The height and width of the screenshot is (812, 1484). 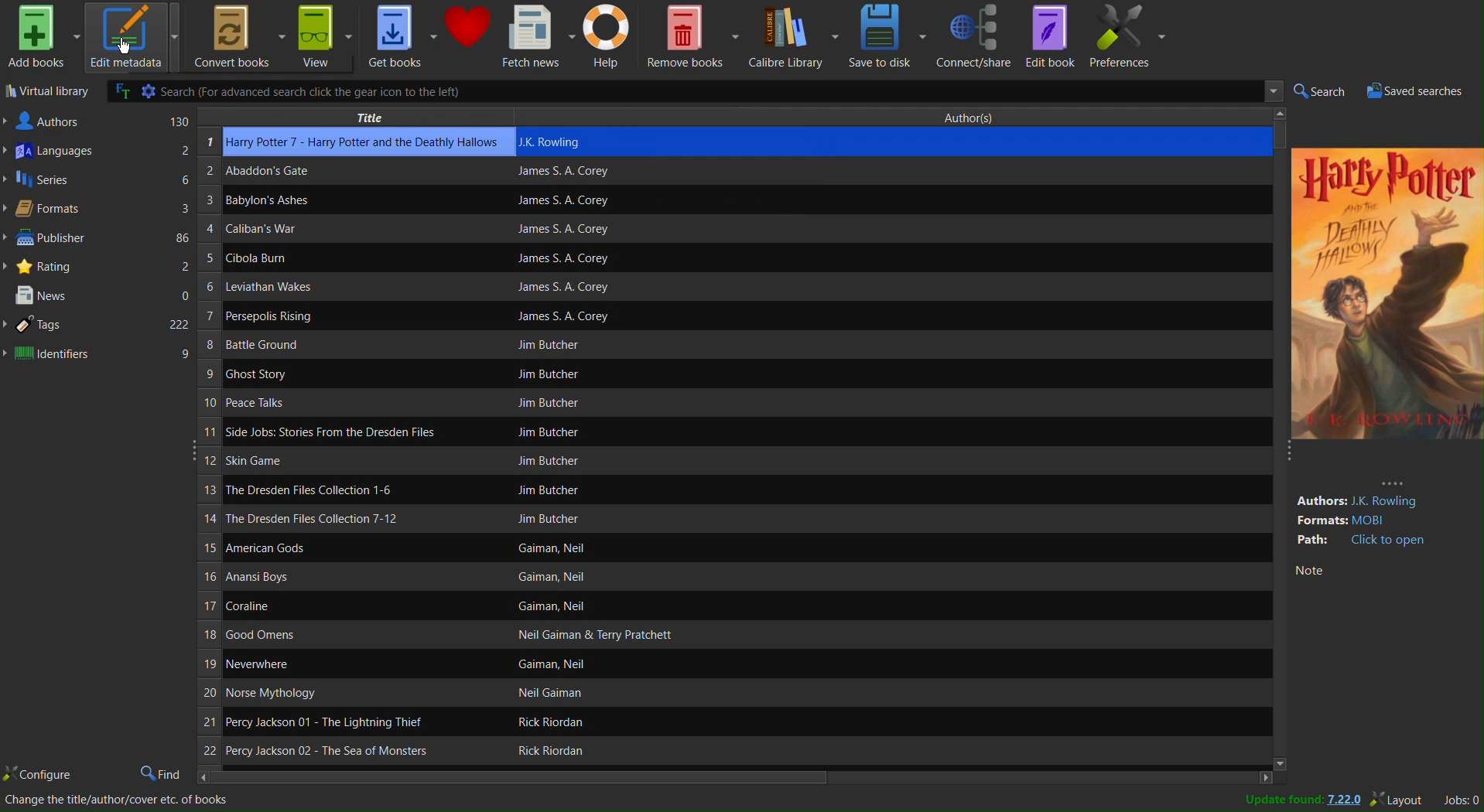 What do you see at coordinates (274, 203) in the screenshot?
I see `Book name` at bounding box center [274, 203].